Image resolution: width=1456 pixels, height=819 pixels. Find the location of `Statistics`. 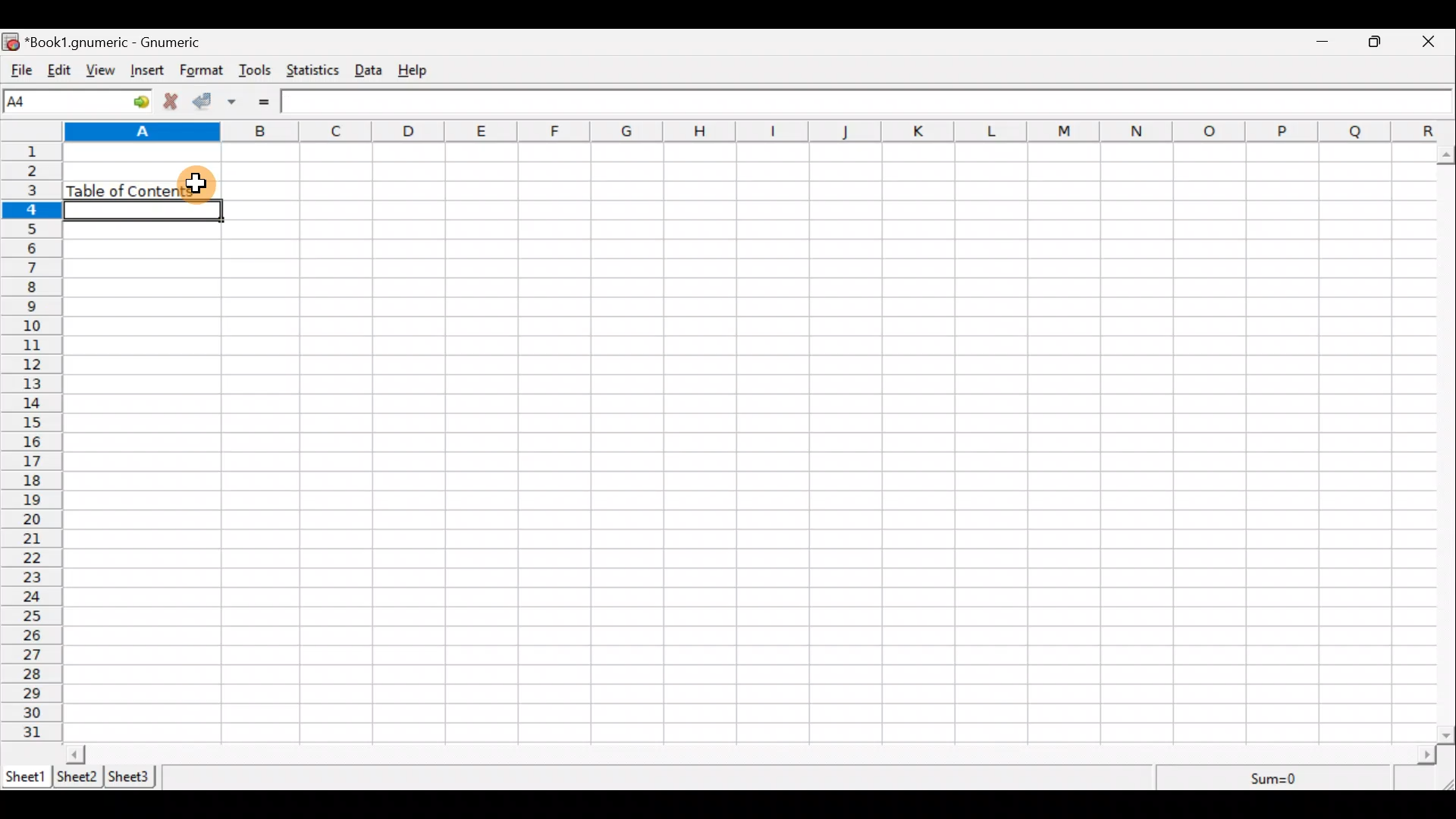

Statistics is located at coordinates (315, 72).